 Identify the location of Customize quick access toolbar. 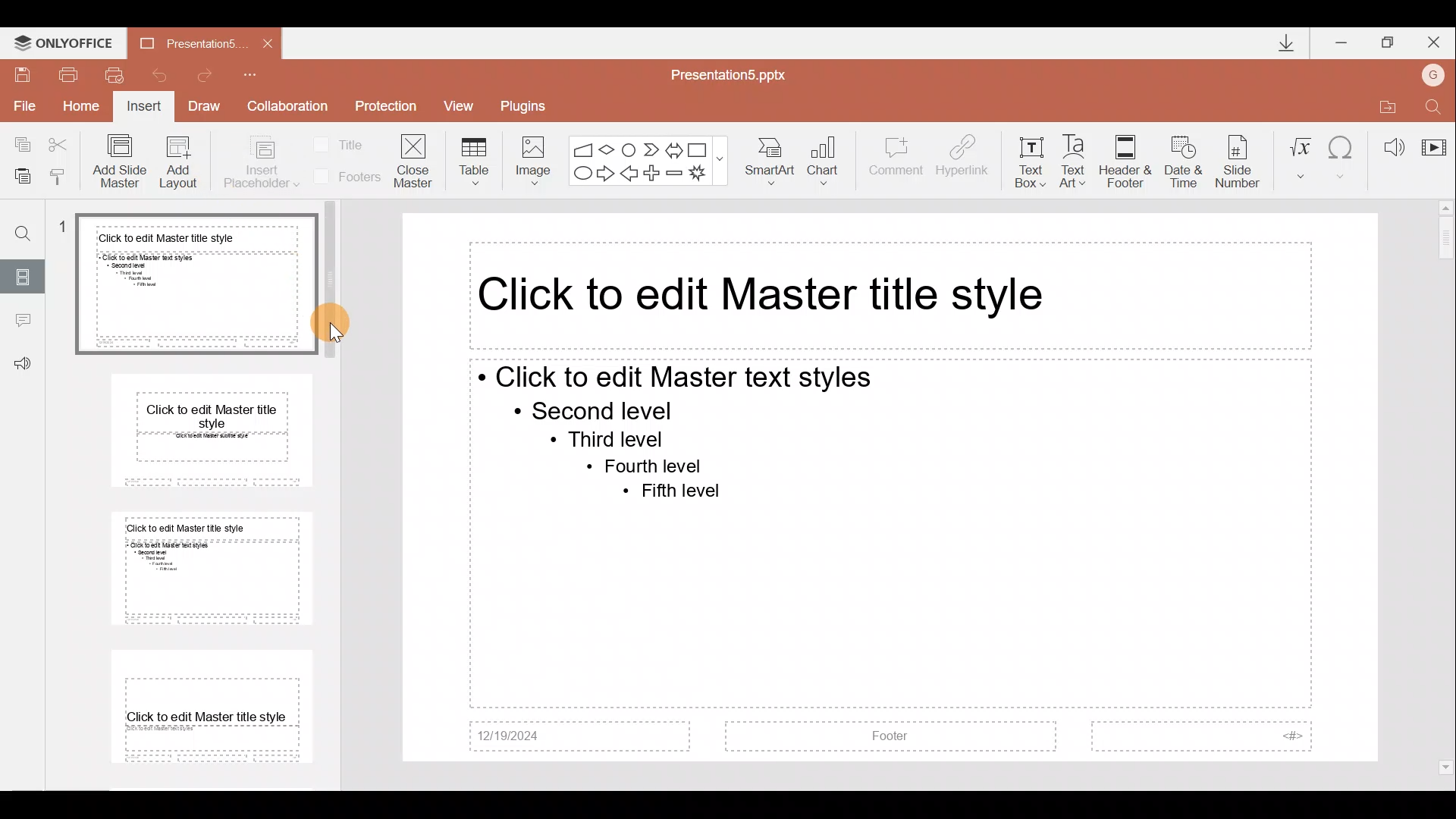
(260, 74).